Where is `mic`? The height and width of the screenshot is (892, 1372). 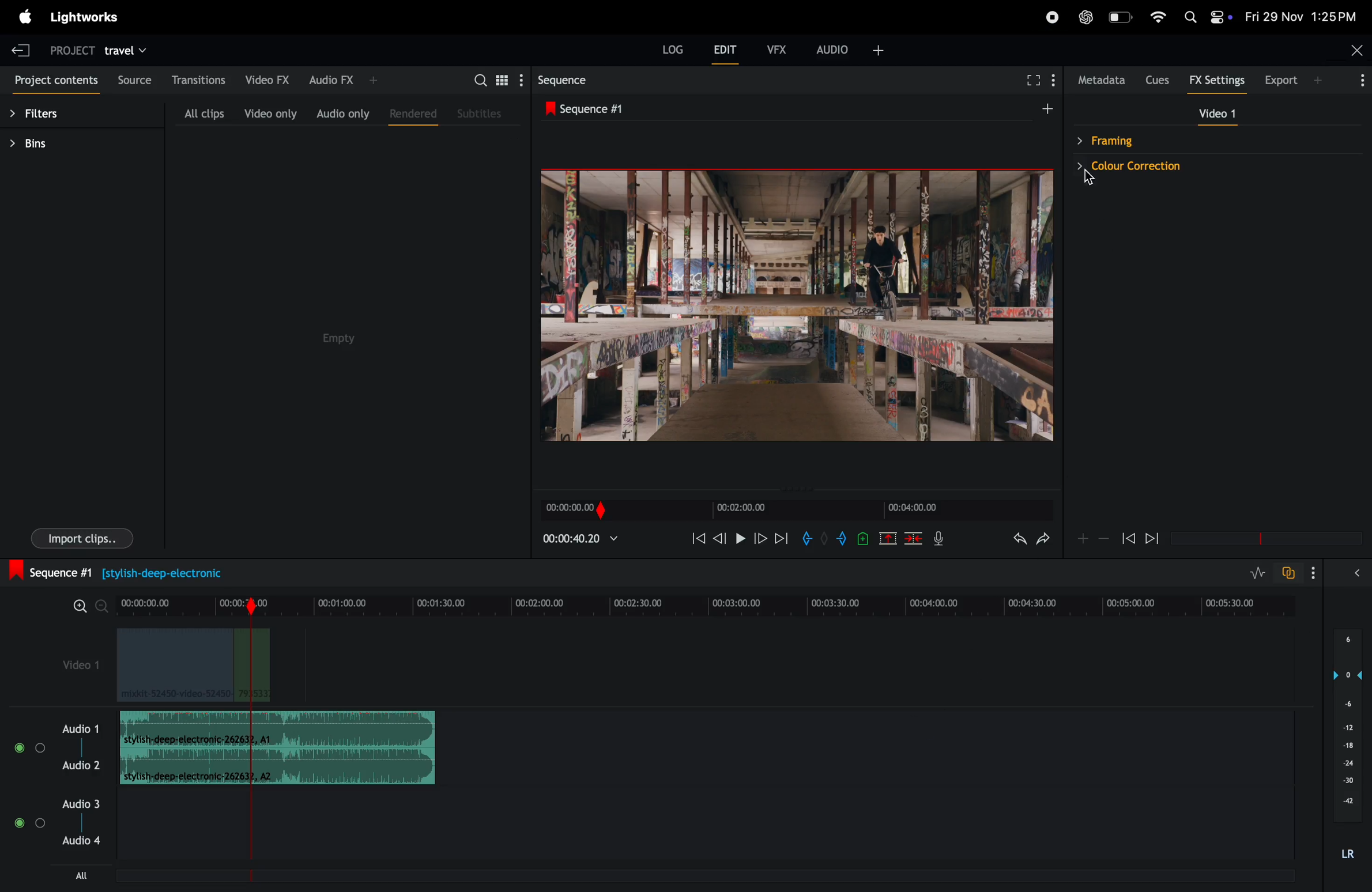 mic is located at coordinates (942, 538).